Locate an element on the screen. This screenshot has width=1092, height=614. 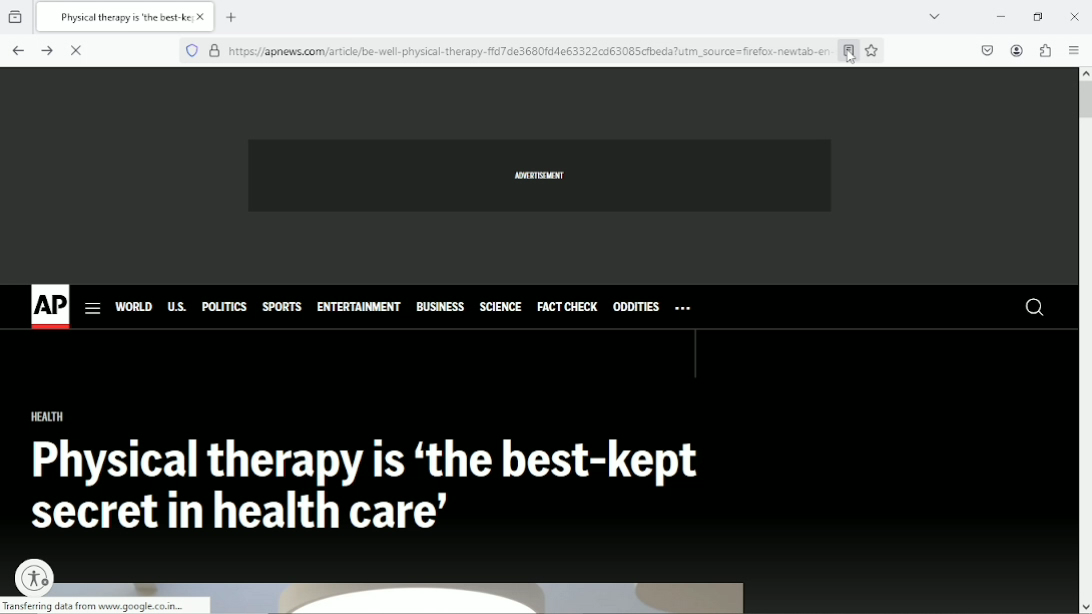
switch to reader mode is located at coordinates (847, 51).